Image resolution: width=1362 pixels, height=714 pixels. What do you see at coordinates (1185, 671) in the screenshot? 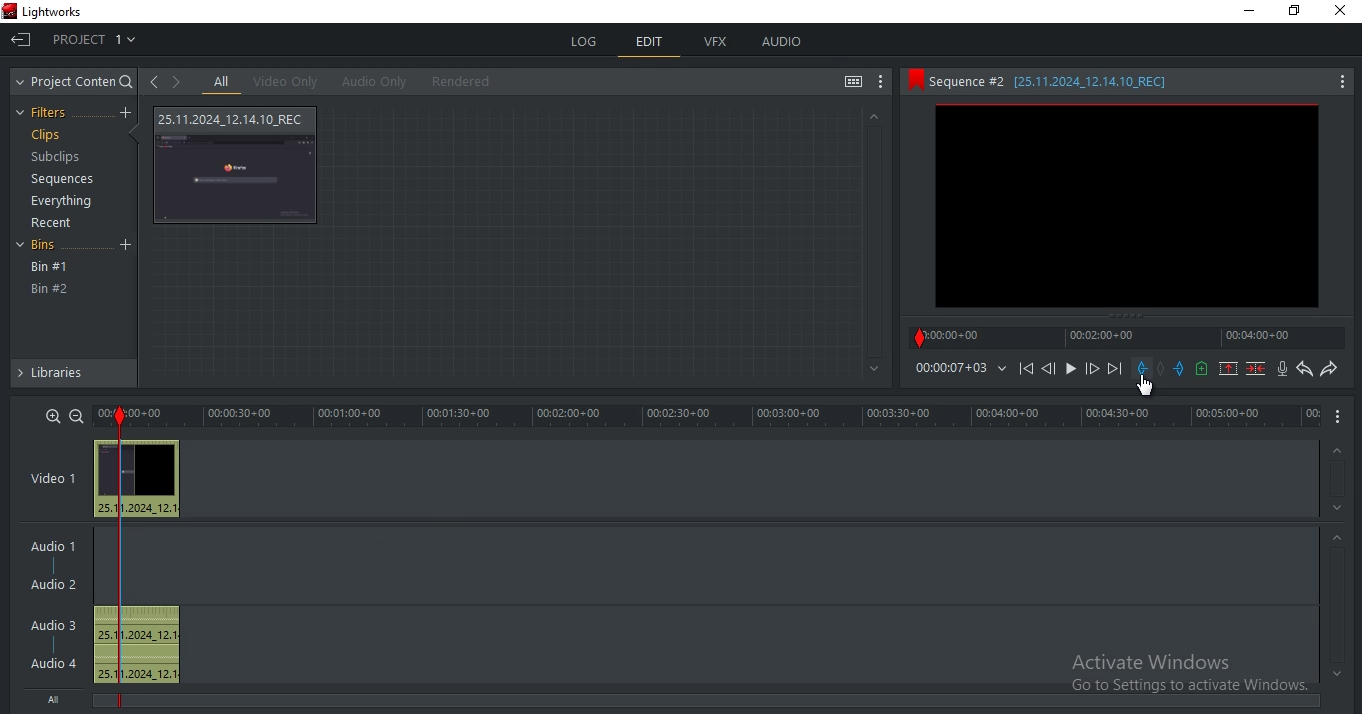
I see `Activate Window` at bounding box center [1185, 671].